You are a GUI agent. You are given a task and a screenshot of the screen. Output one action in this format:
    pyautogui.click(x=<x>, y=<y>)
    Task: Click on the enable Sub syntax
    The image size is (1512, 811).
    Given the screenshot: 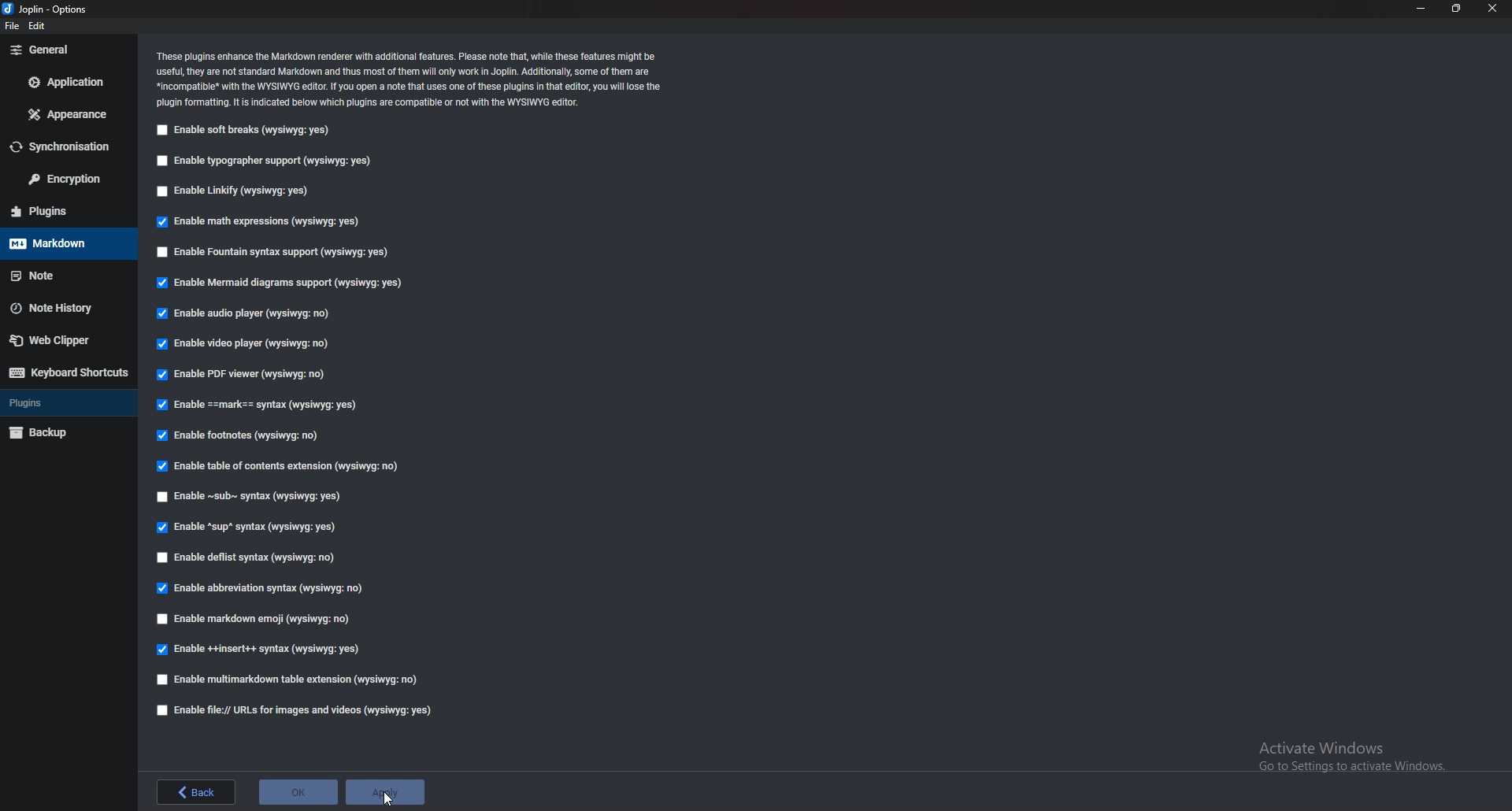 What is the action you would take?
    pyautogui.click(x=247, y=498)
    